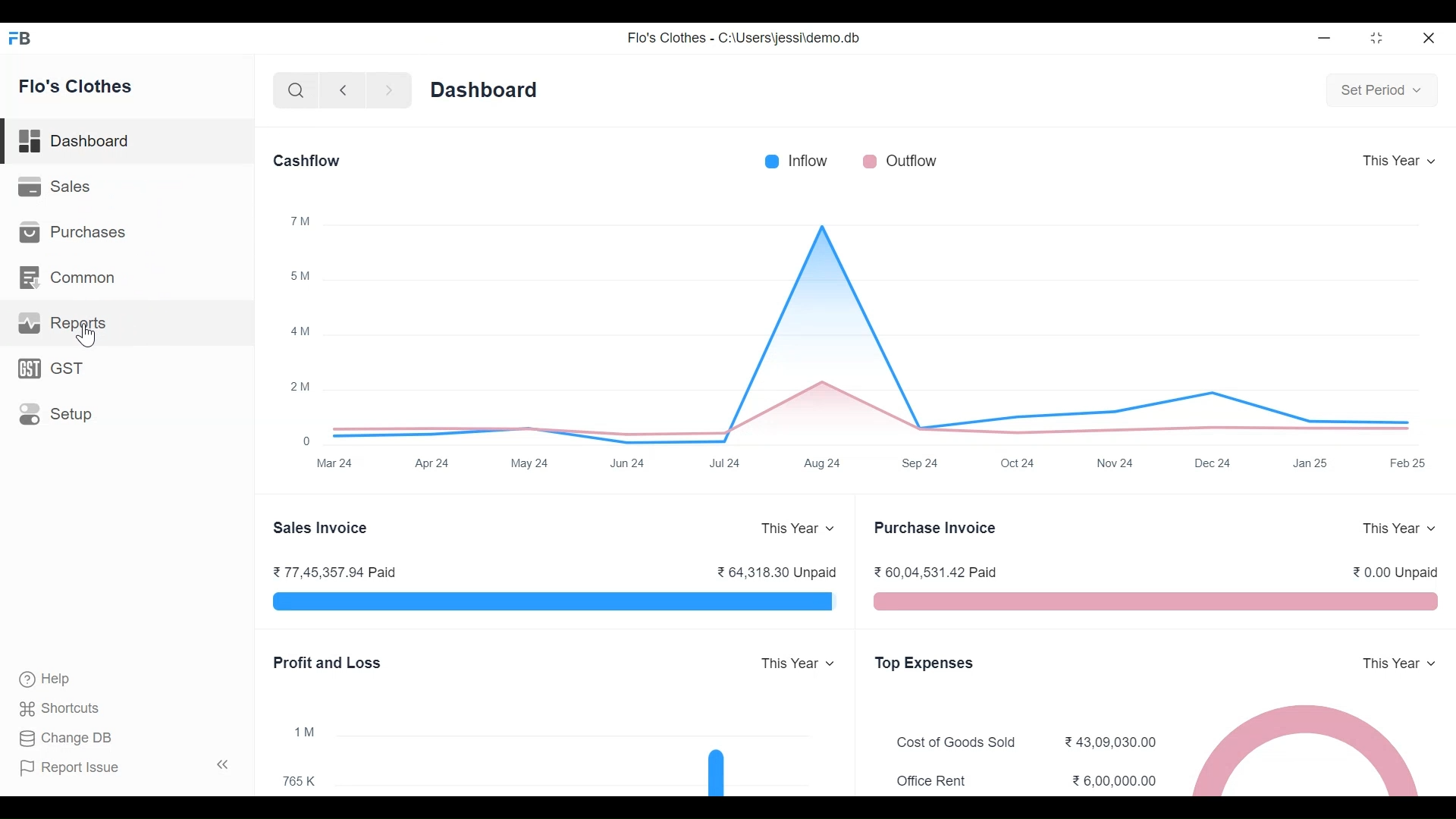 The width and height of the screenshot is (1456, 819). What do you see at coordinates (390, 90) in the screenshot?
I see `Move Forward` at bounding box center [390, 90].